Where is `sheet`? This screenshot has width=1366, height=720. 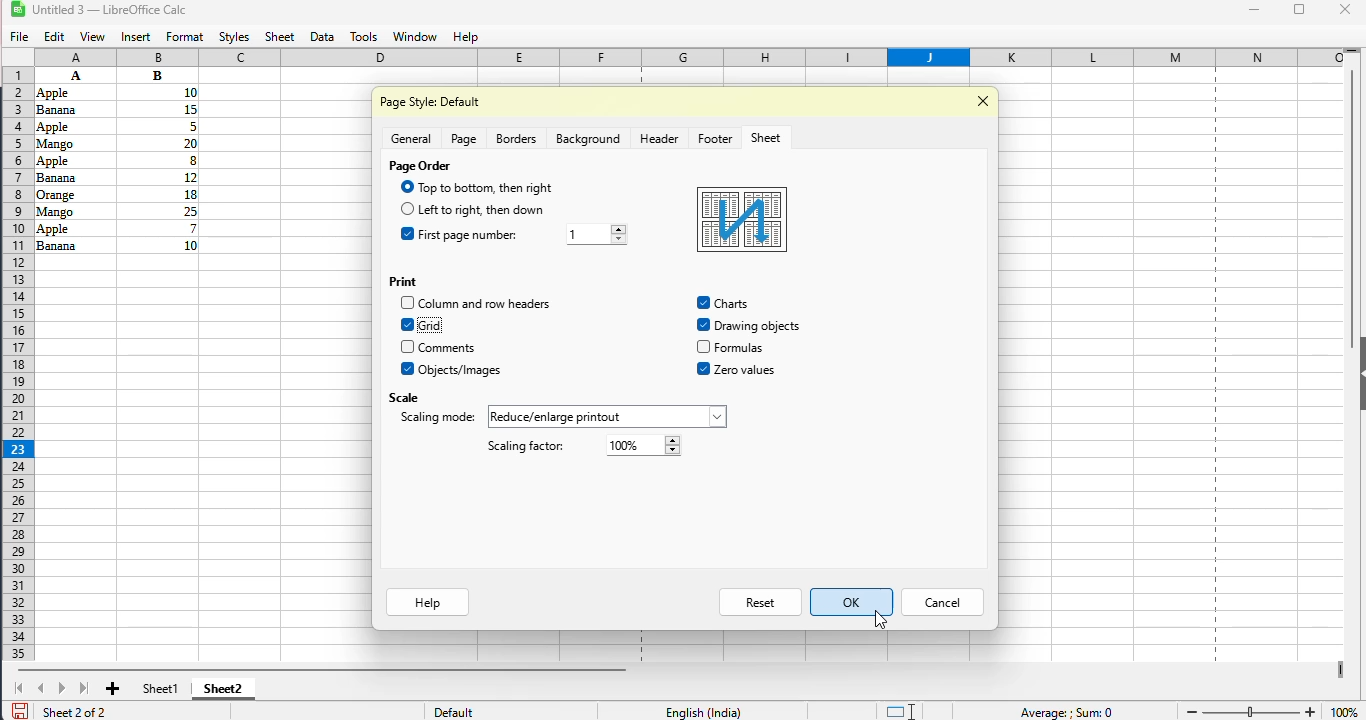
sheet is located at coordinates (280, 37).